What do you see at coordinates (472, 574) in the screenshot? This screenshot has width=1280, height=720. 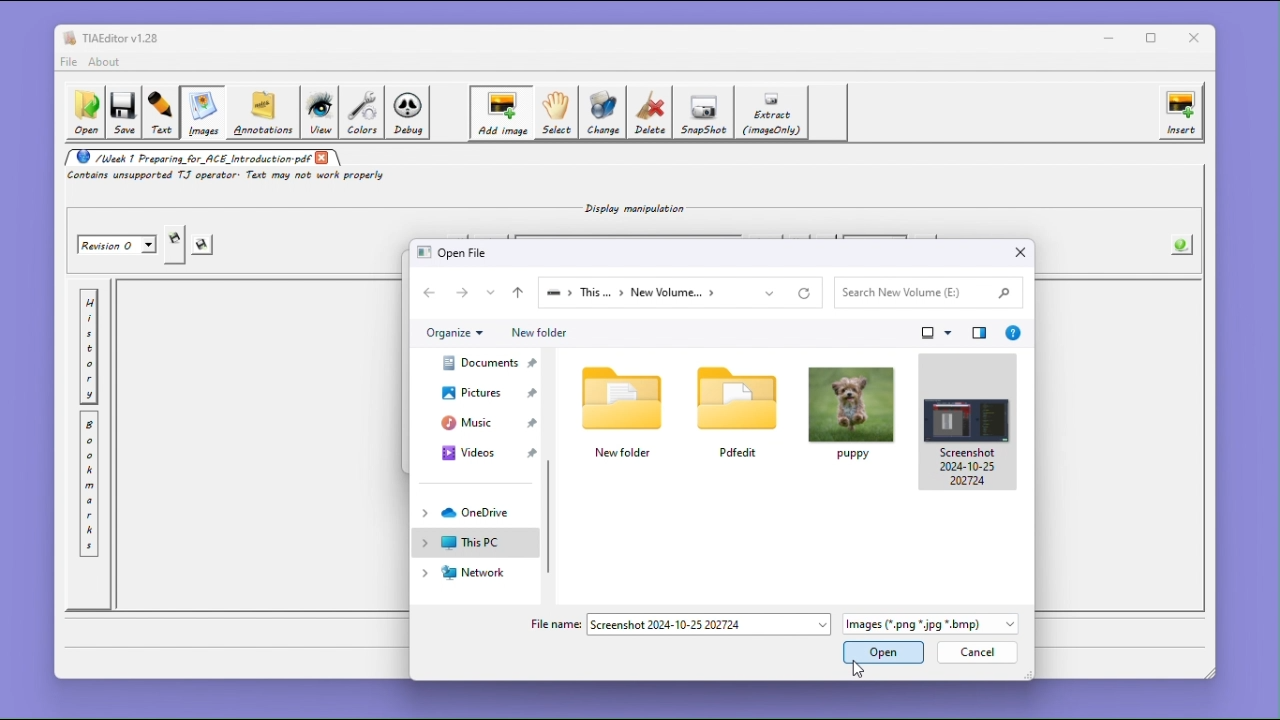 I see `Network` at bounding box center [472, 574].